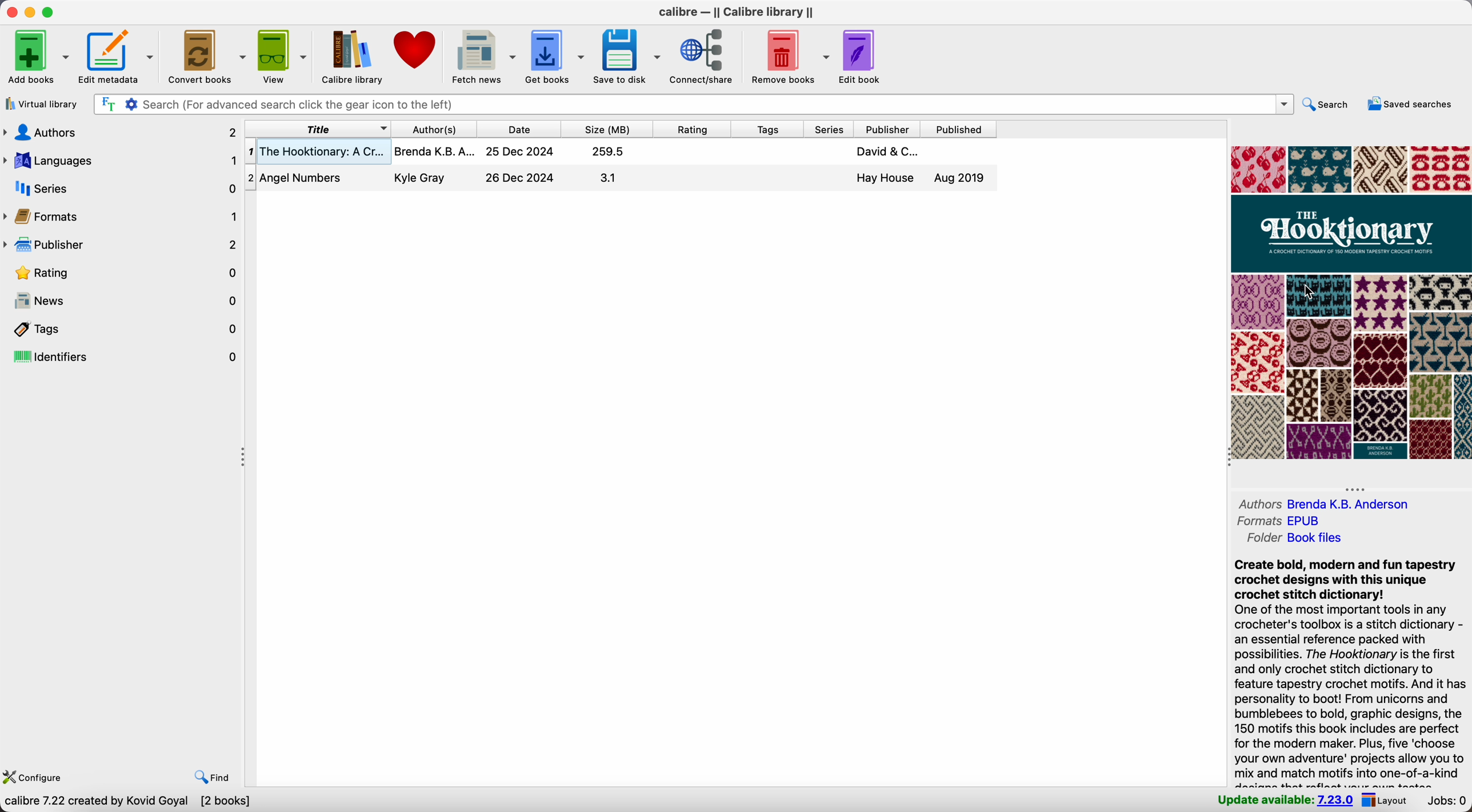 This screenshot has height=812, width=1472. Describe the element at coordinates (787, 56) in the screenshot. I see `remove books` at that location.